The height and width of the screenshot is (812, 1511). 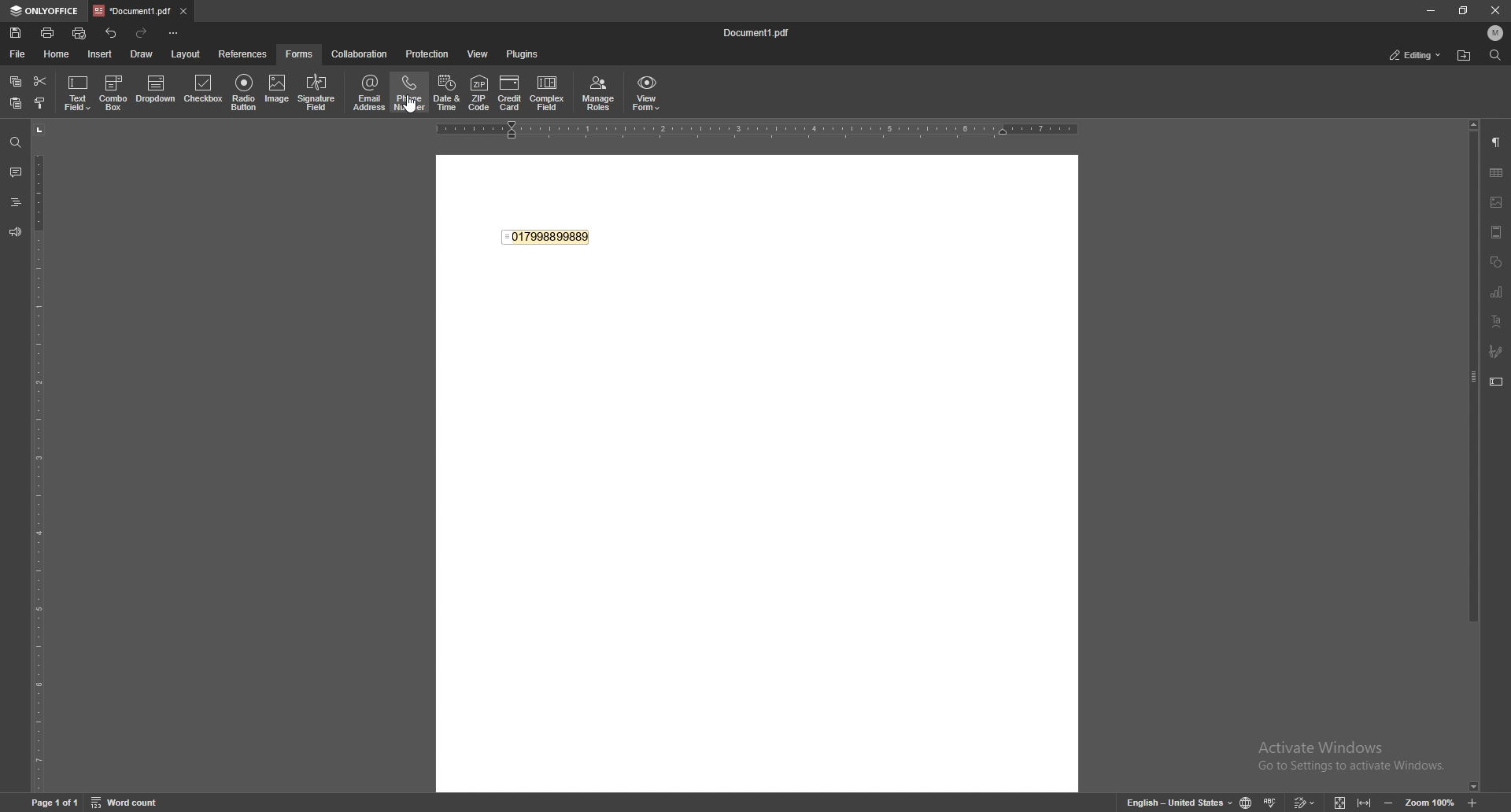 I want to click on view form, so click(x=647, y=92).